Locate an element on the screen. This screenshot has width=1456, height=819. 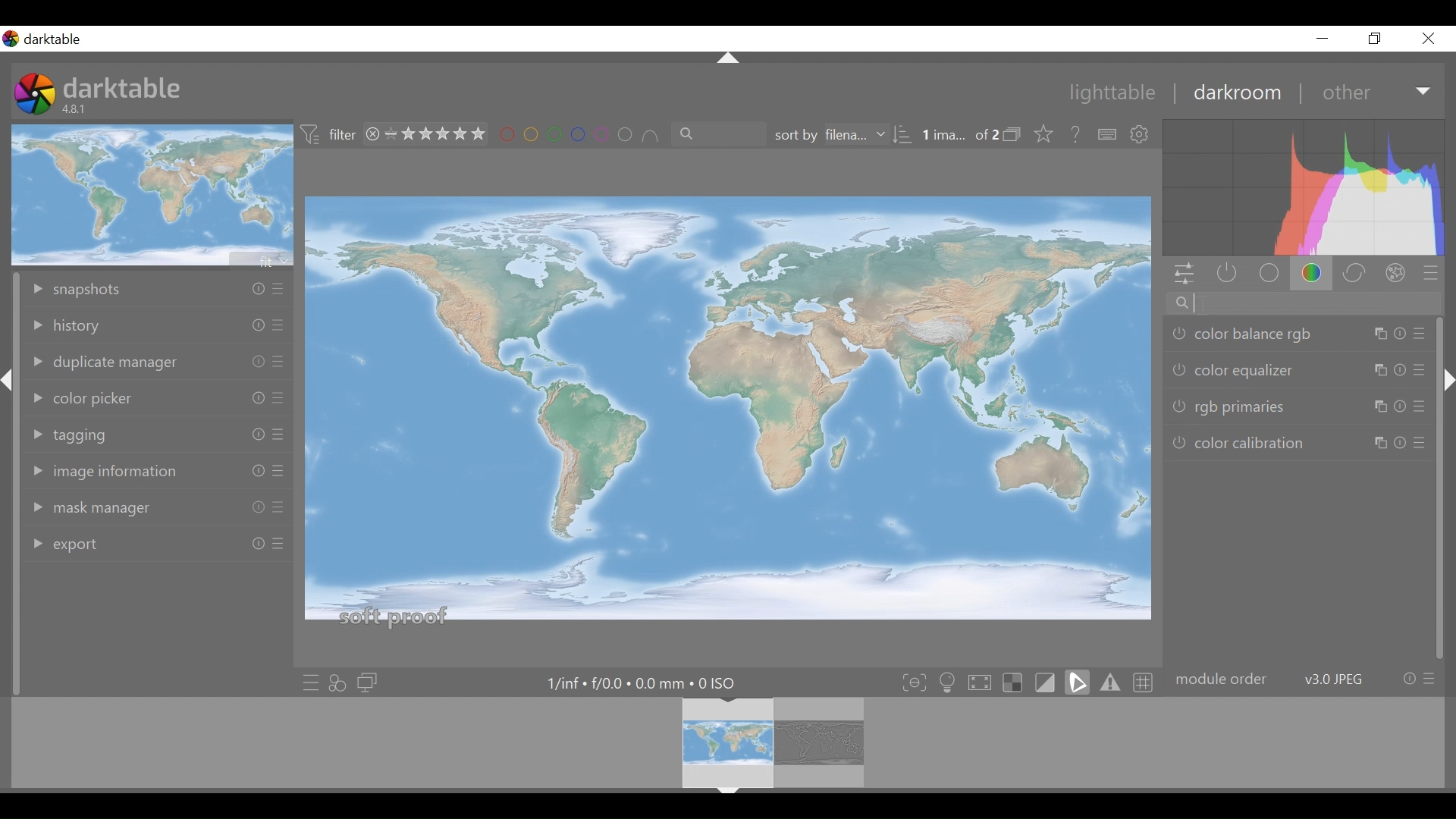
toggle indication of raw overexposure is located at coordinates (1012, 681).